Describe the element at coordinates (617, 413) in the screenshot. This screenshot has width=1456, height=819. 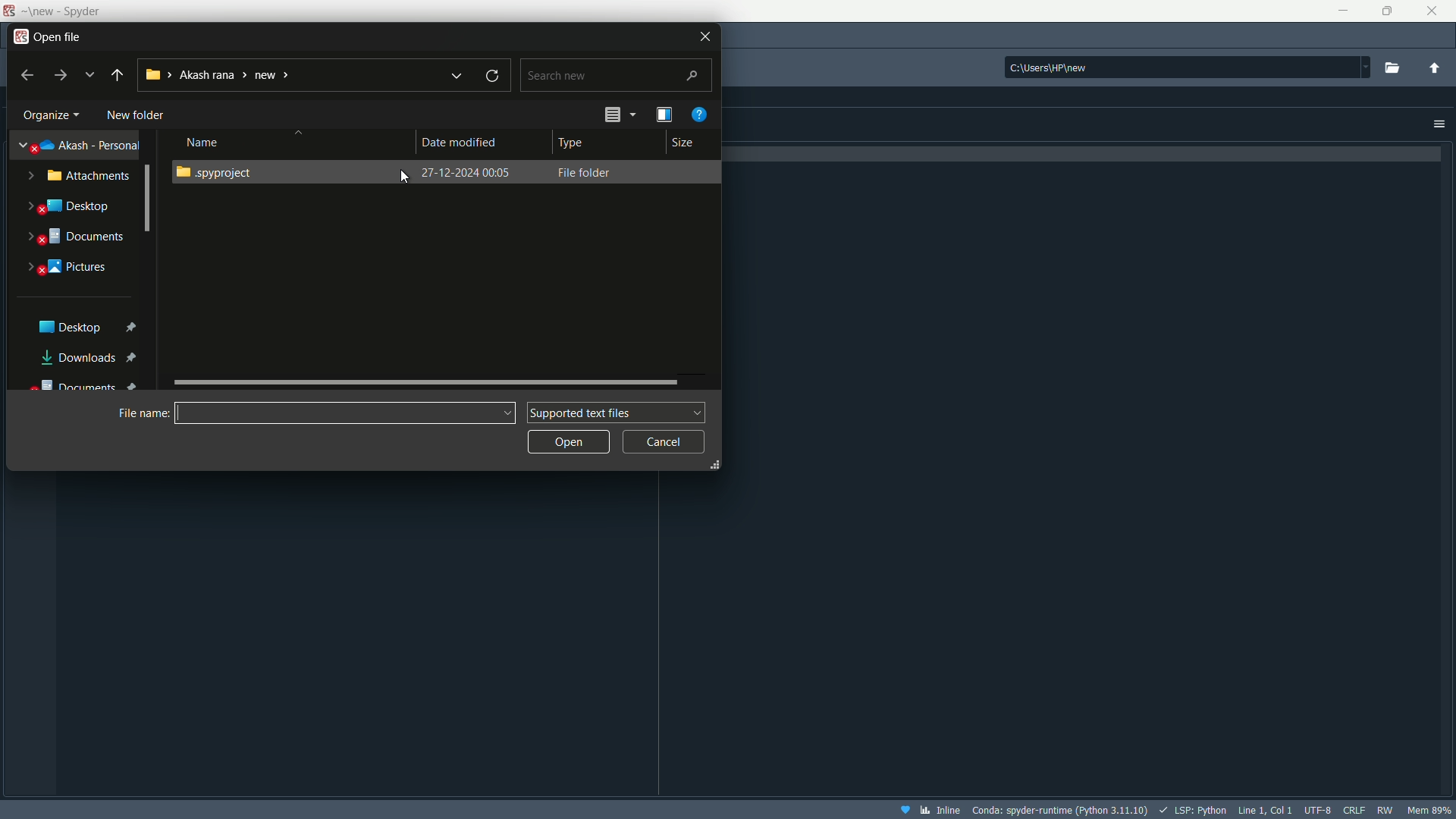
I see `Supported text file` at that location.